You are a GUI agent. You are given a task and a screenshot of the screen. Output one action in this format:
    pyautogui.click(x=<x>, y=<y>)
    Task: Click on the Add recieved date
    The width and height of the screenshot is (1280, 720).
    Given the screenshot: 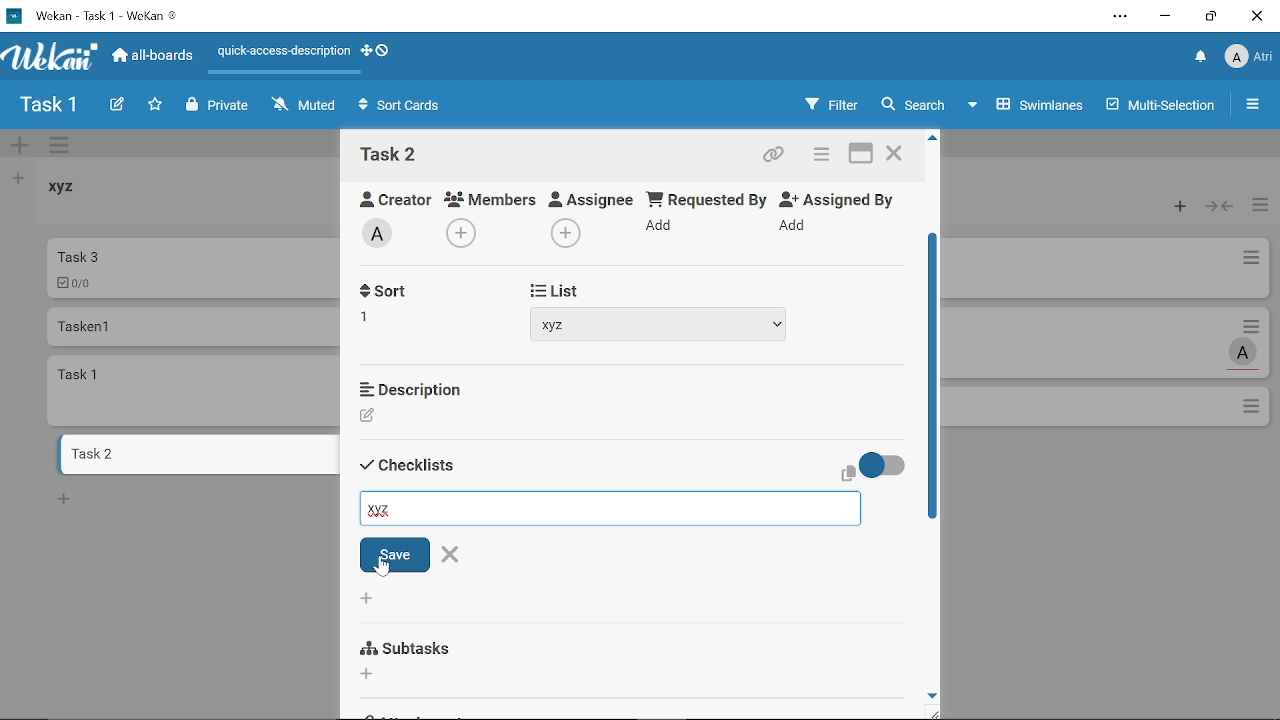 What is the action you would take?
    pyautogui.click(x=376, y=321)
    